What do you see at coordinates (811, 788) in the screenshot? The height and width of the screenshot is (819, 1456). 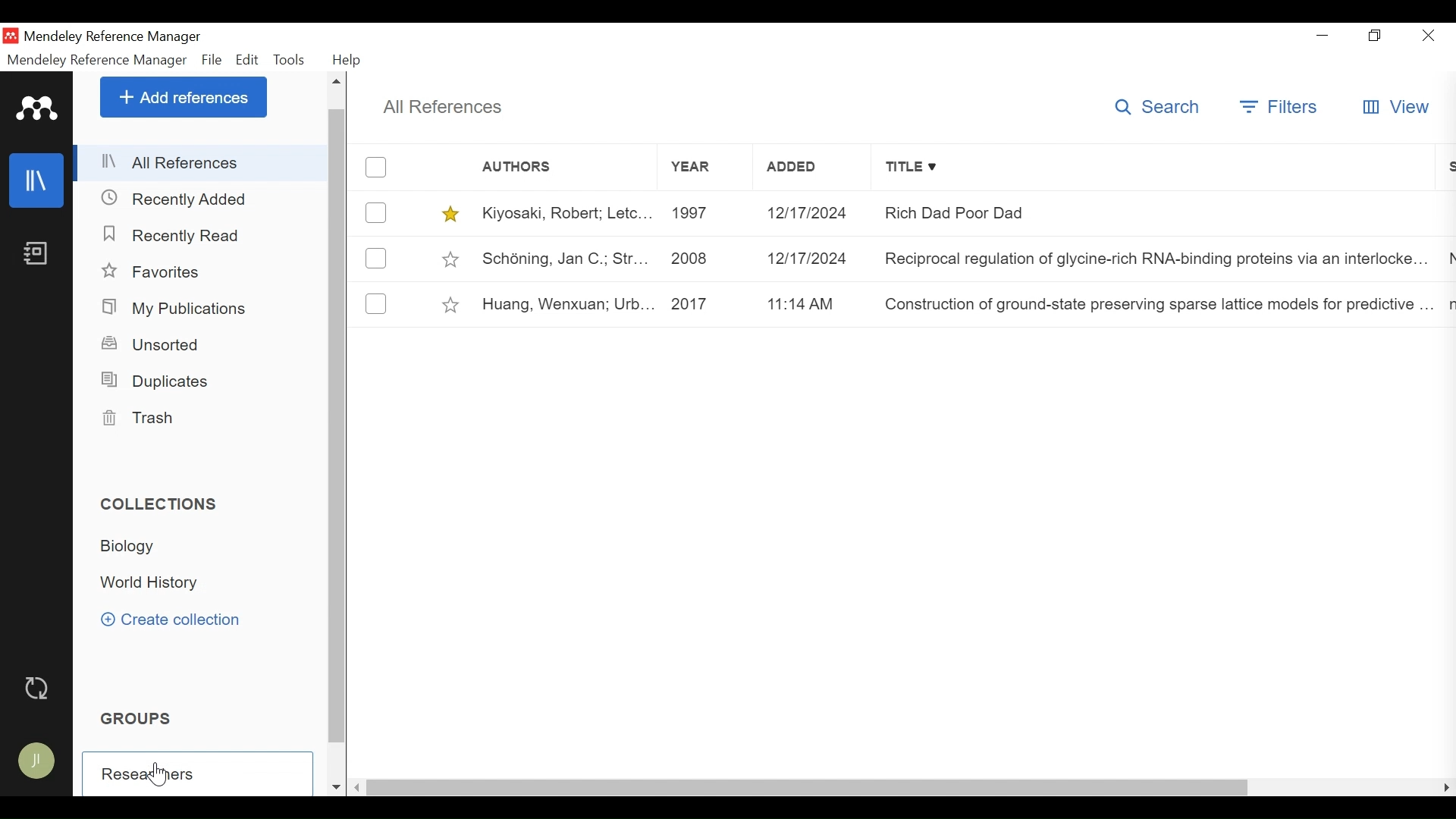 I see `Horizontal Scroll bar` at bounding box center [811, 788].